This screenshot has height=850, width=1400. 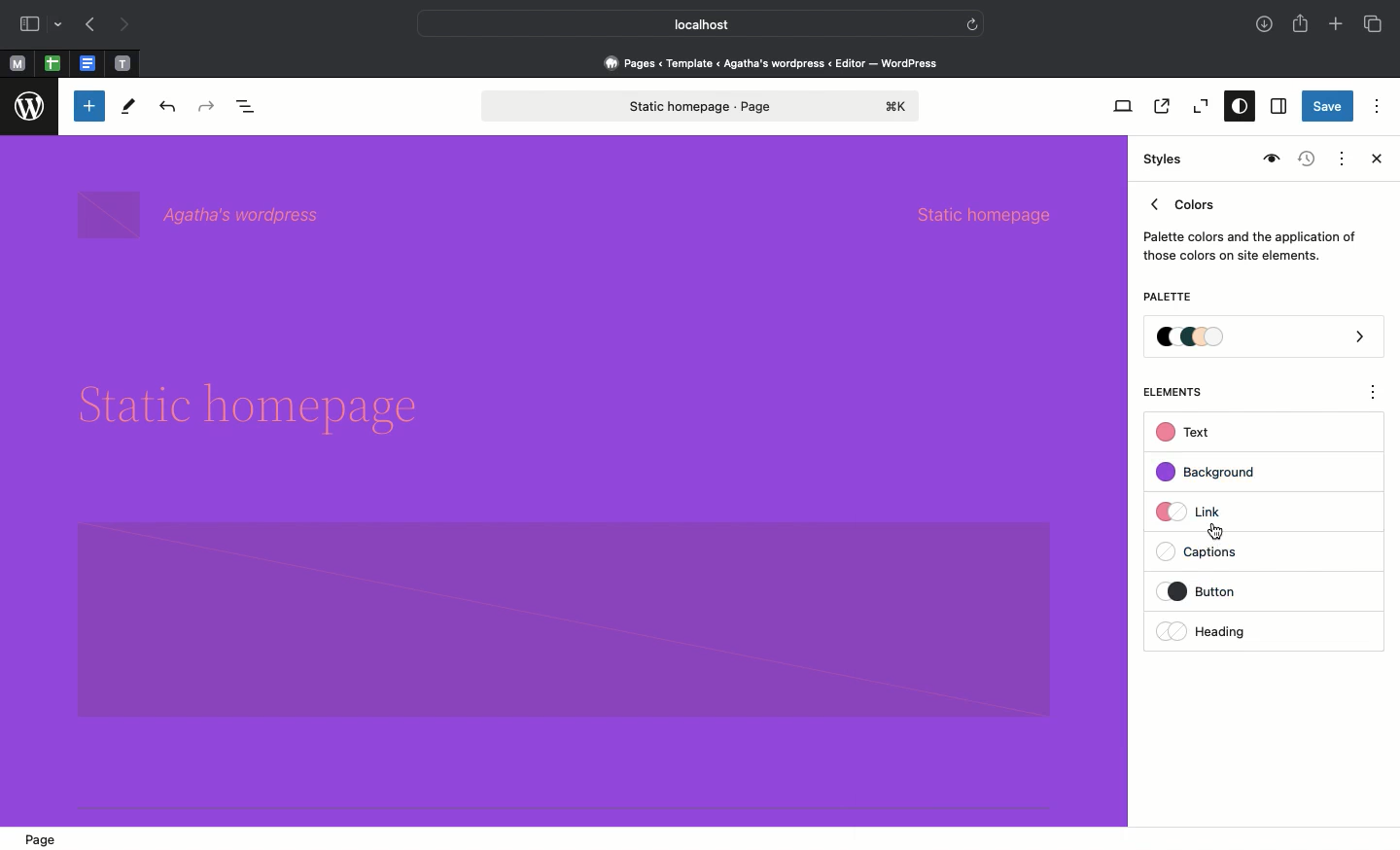 I want to click on Add new tab, so click(x=1338, y=26).